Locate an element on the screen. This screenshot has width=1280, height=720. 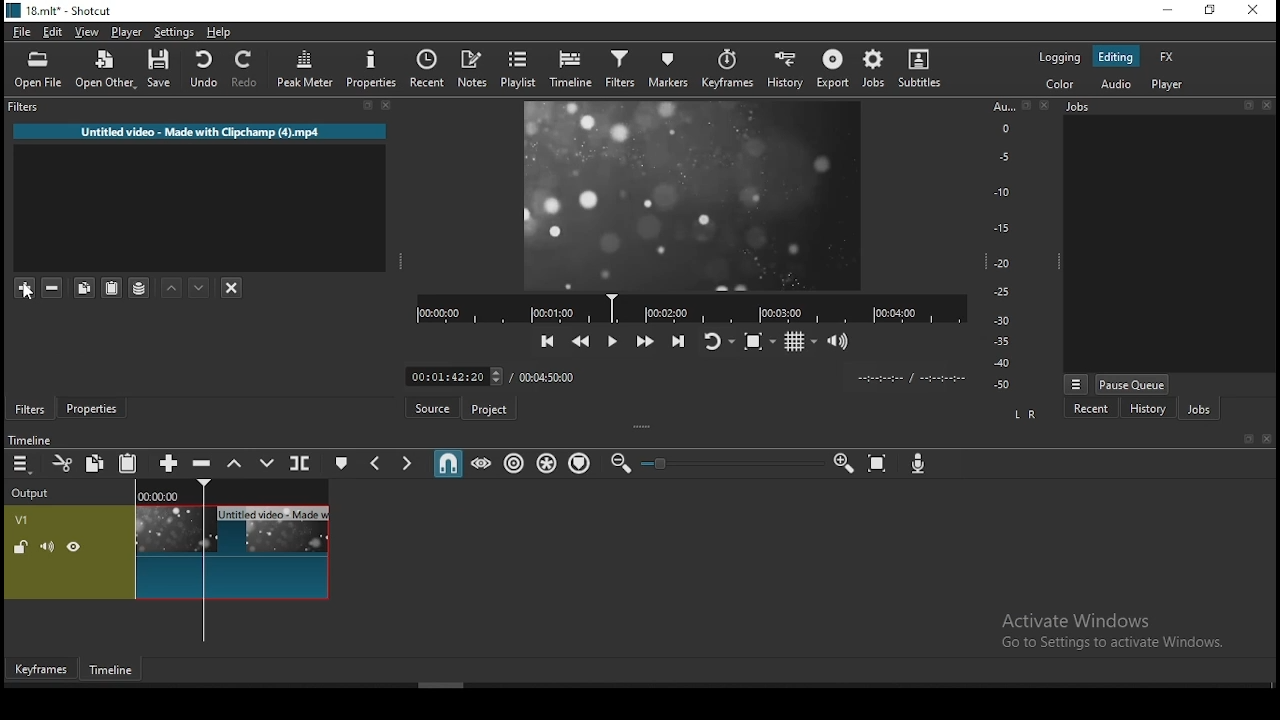
close window is located at coordinates (1250, 12).